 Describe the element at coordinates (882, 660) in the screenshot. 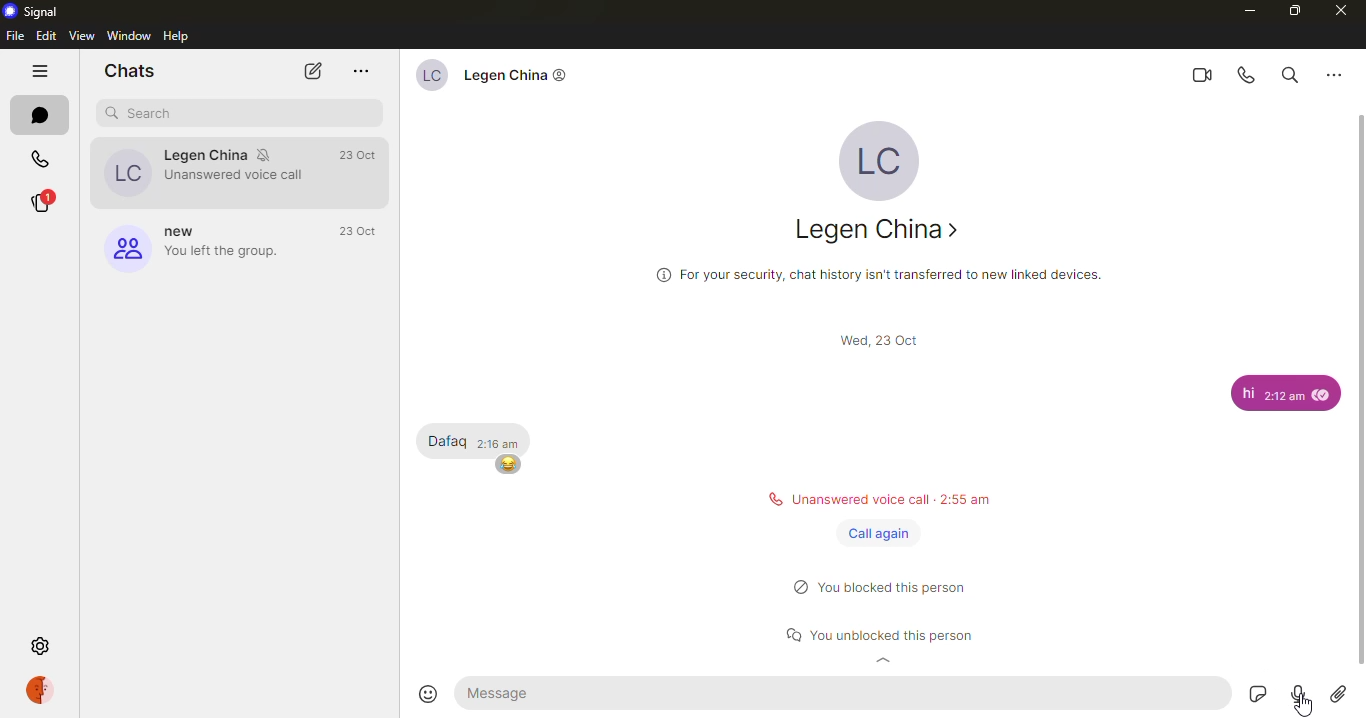

I see `expand` at that location.